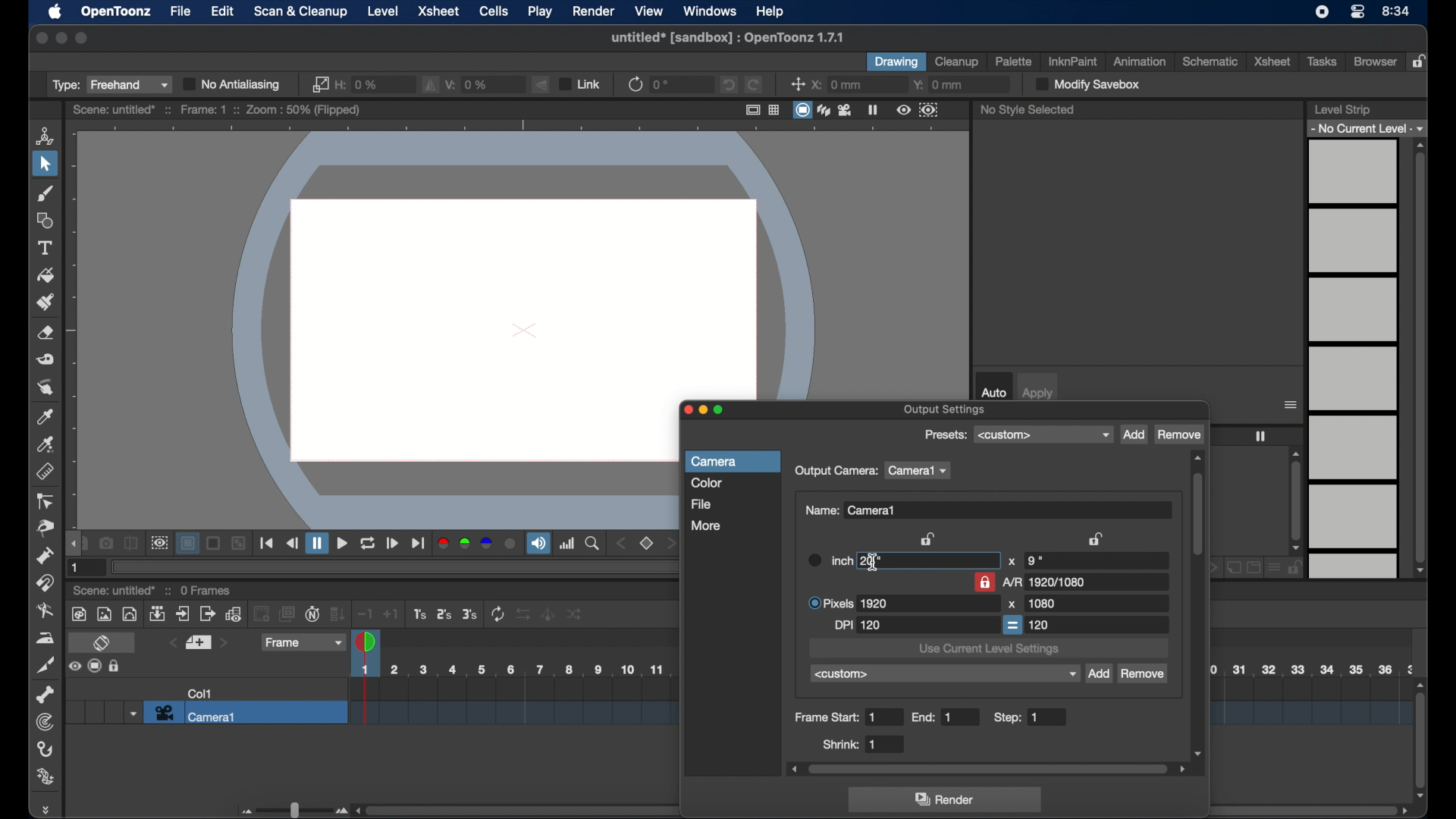 The width and height of the screenshot is (1456, 819). I want to click on , so click(444, 611).